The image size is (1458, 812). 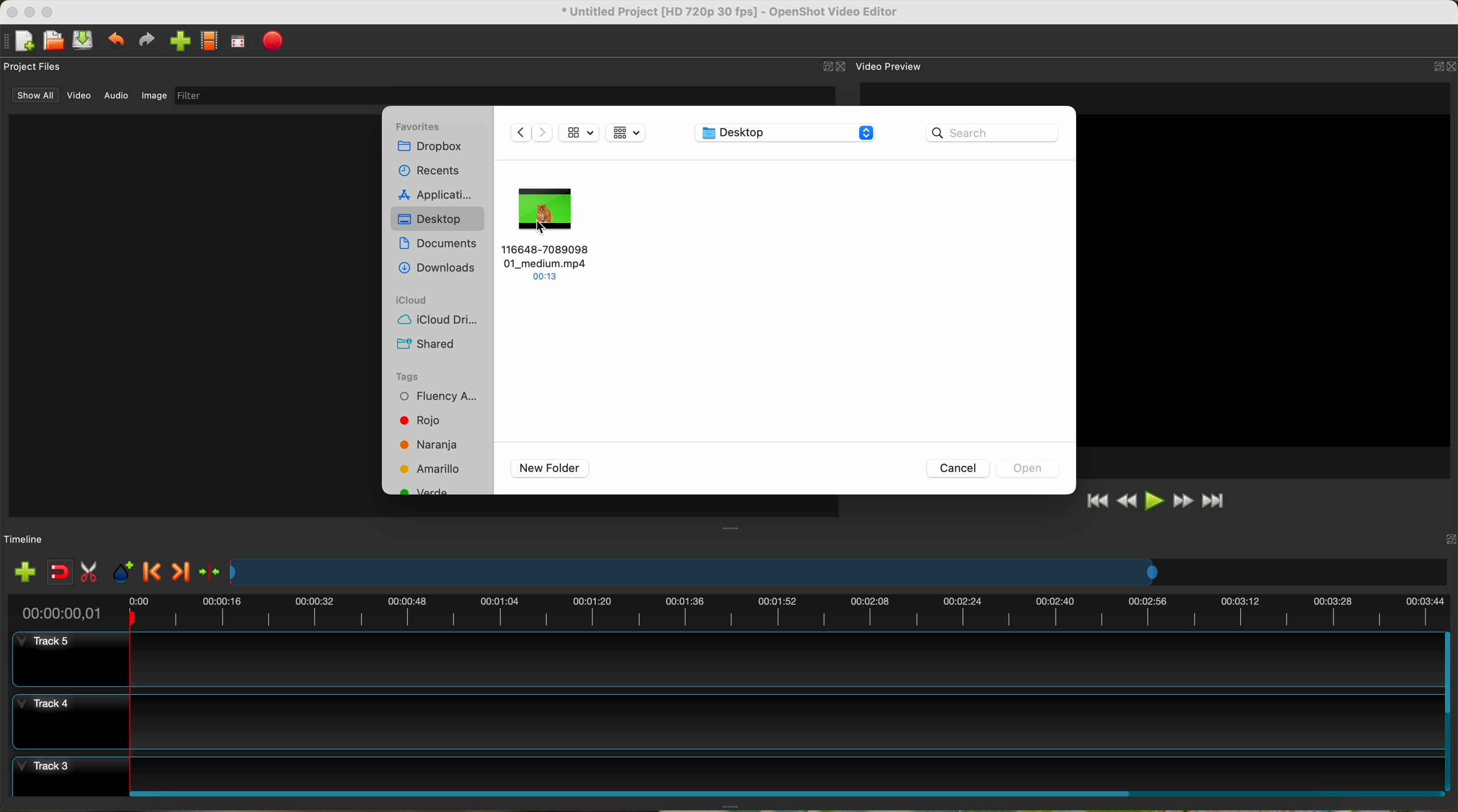 What do you see at coordinates (153, 572) in the screenshot?
I see `previous marker` at bounding box center [153, 572].